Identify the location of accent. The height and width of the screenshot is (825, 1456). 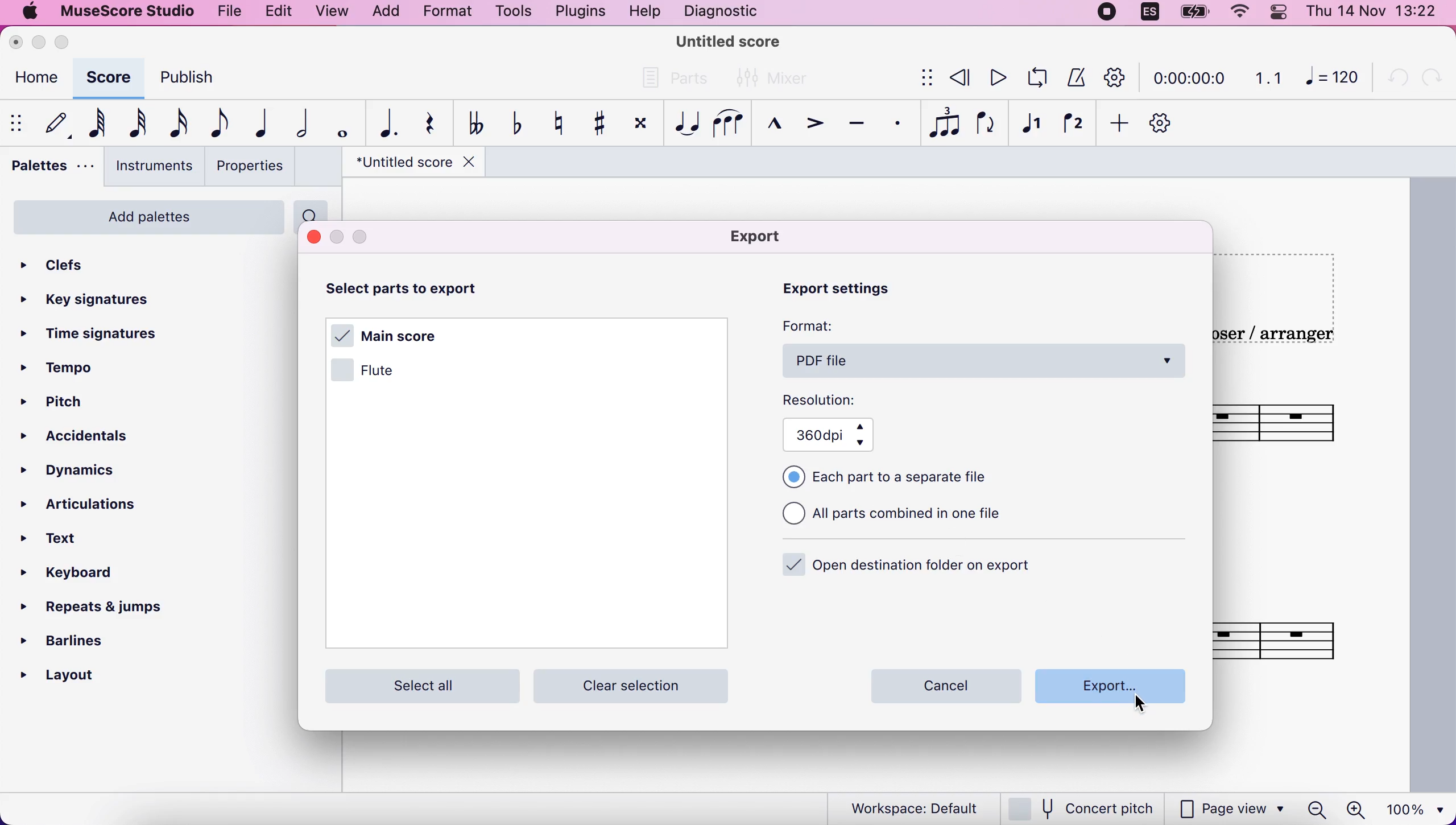
(811, 126).